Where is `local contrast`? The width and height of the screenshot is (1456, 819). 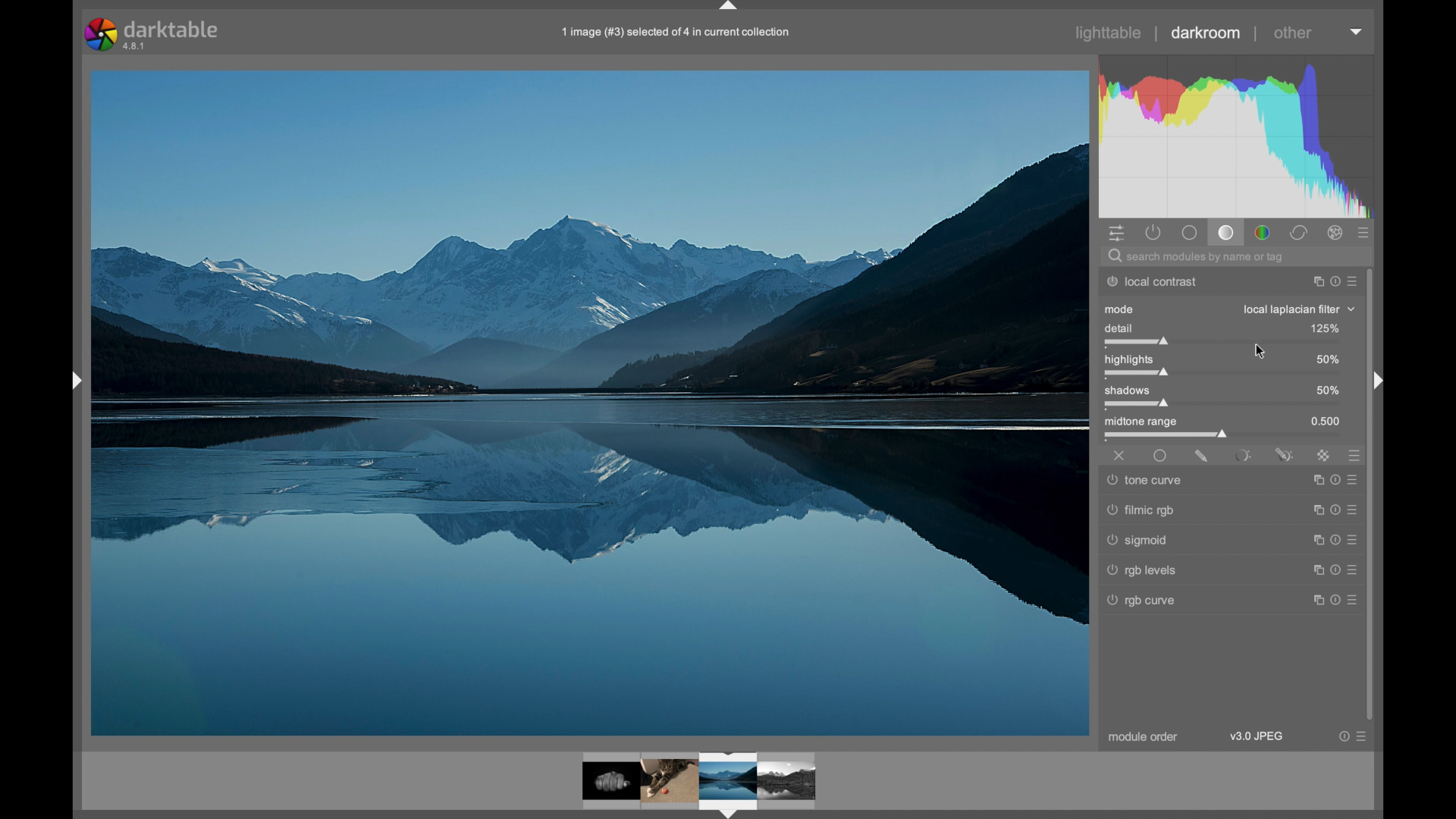 local contrast is located at coordinates (1152, 281).